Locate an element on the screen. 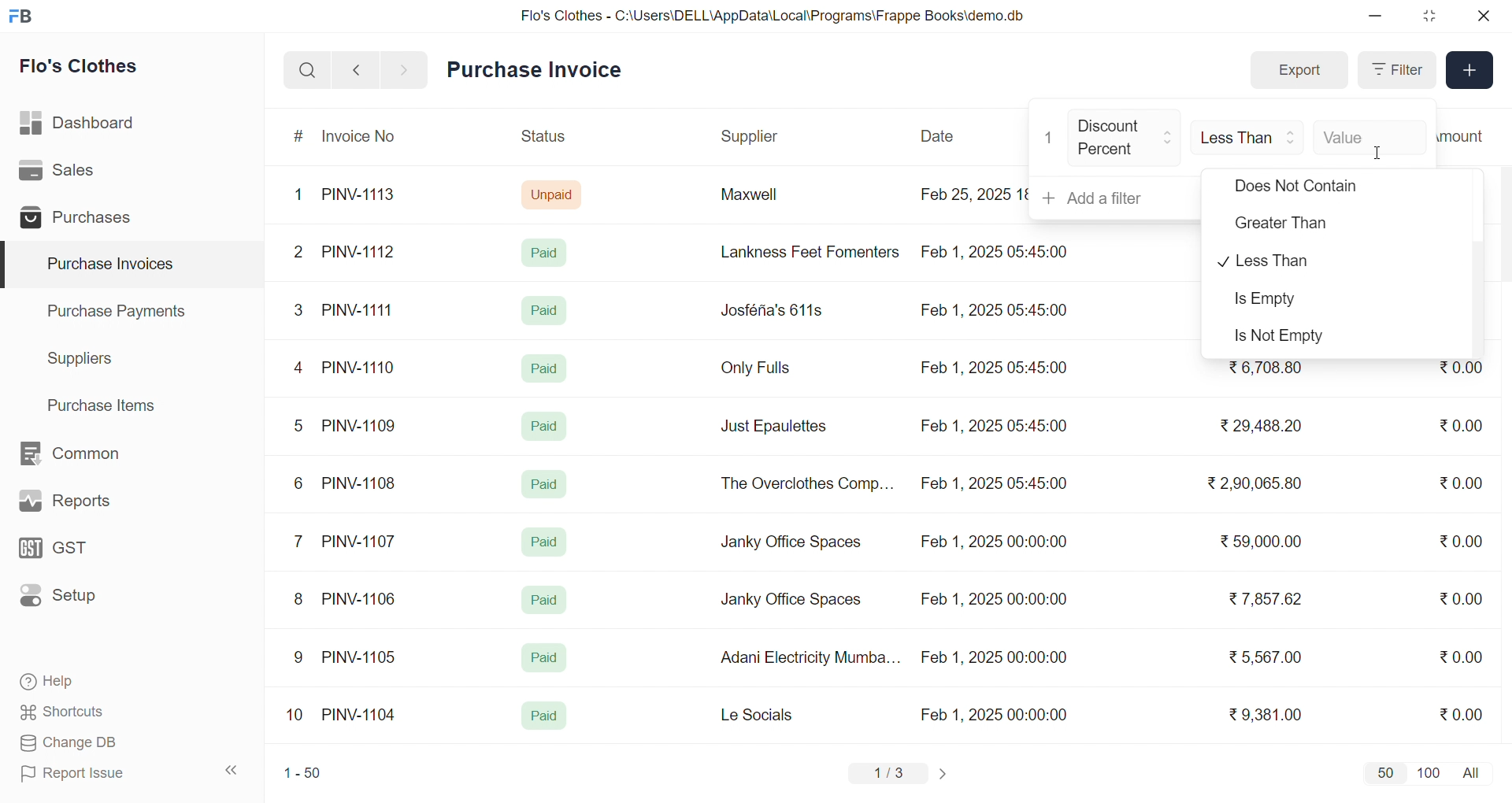 The width and height of the screenshot is (1512, 803). Just Epaulettes is located at coordinates (780, 427).